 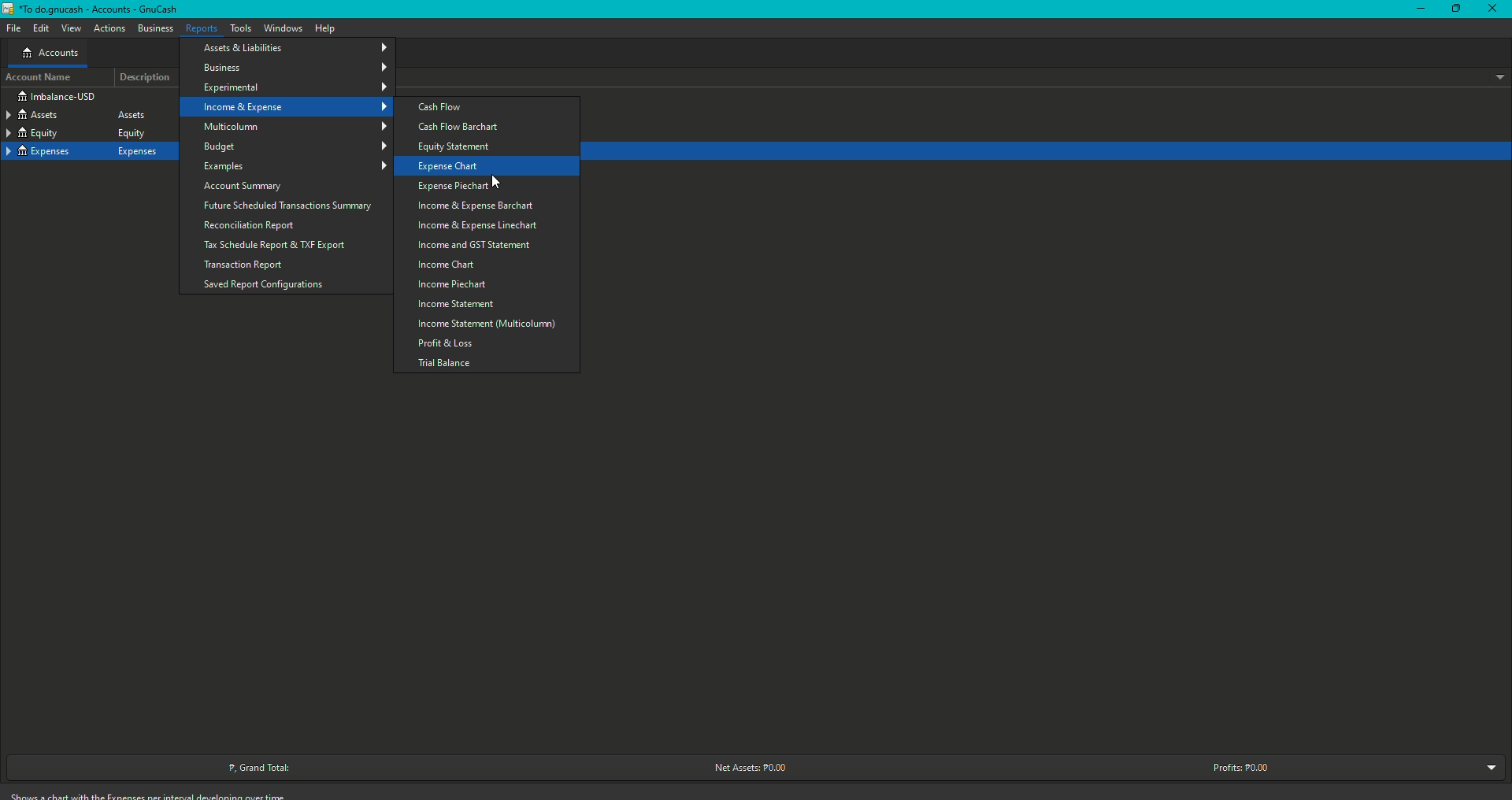 What do you see at coordinates (326, 29) in the screenshot?
I see `Help` at bounding box center [326, 29].